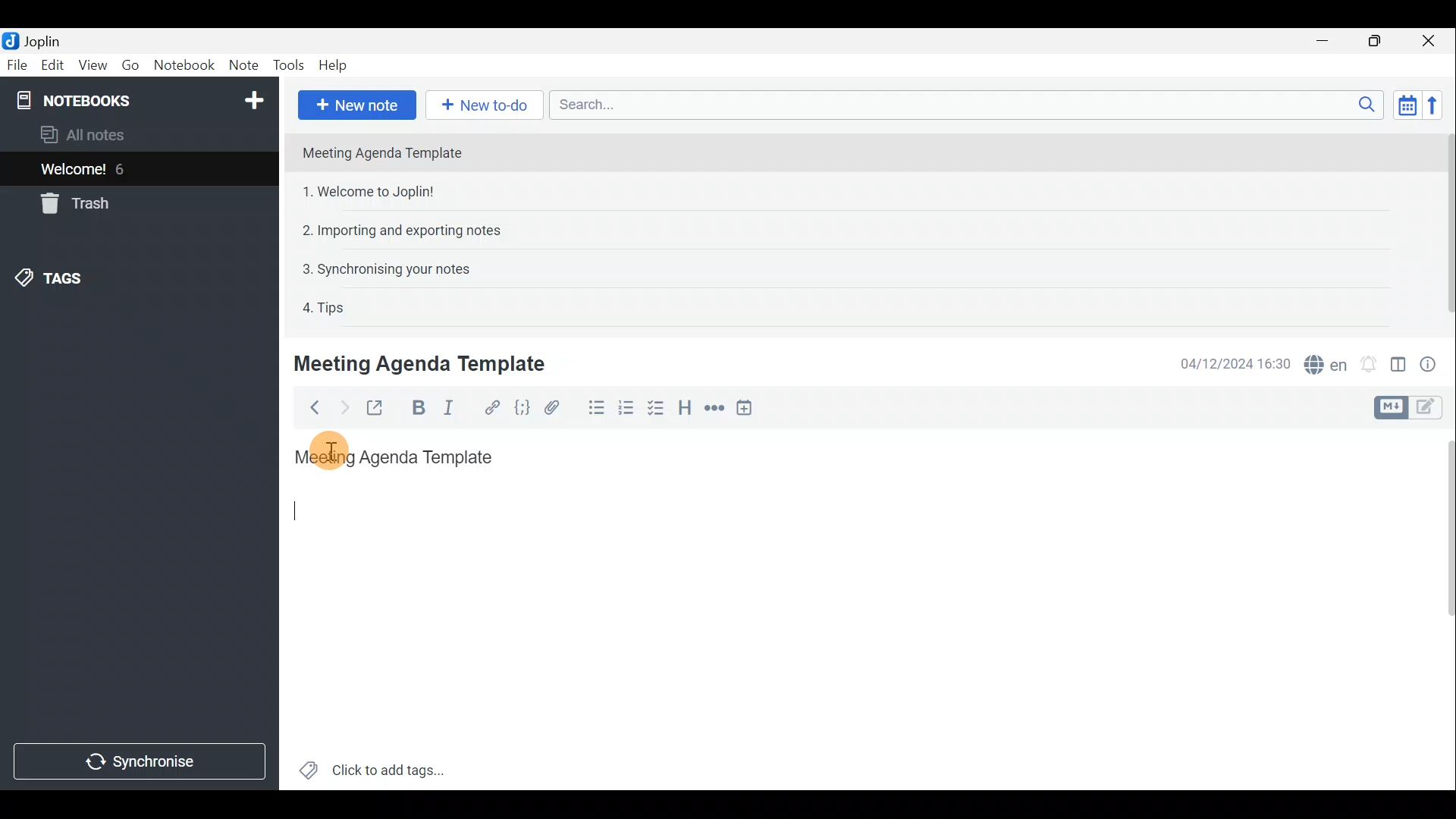 The width and height of the screenshot is (1456, 819). Describe the element at coordinates (379, 409) in the screenshot. I see `Toggle external editing` at that location.